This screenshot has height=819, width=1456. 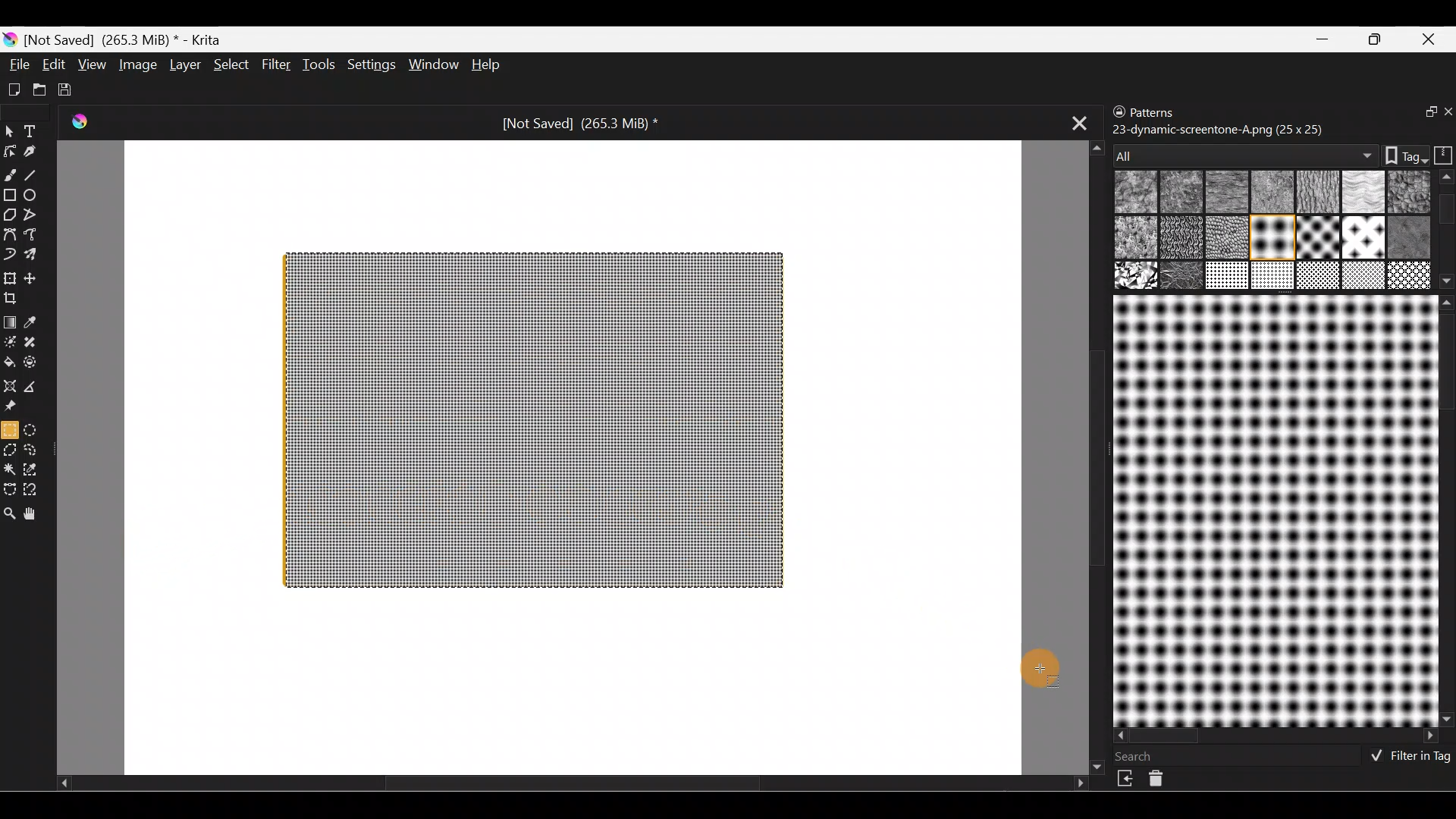 I want to click on Save, so click(x=67, y=87).